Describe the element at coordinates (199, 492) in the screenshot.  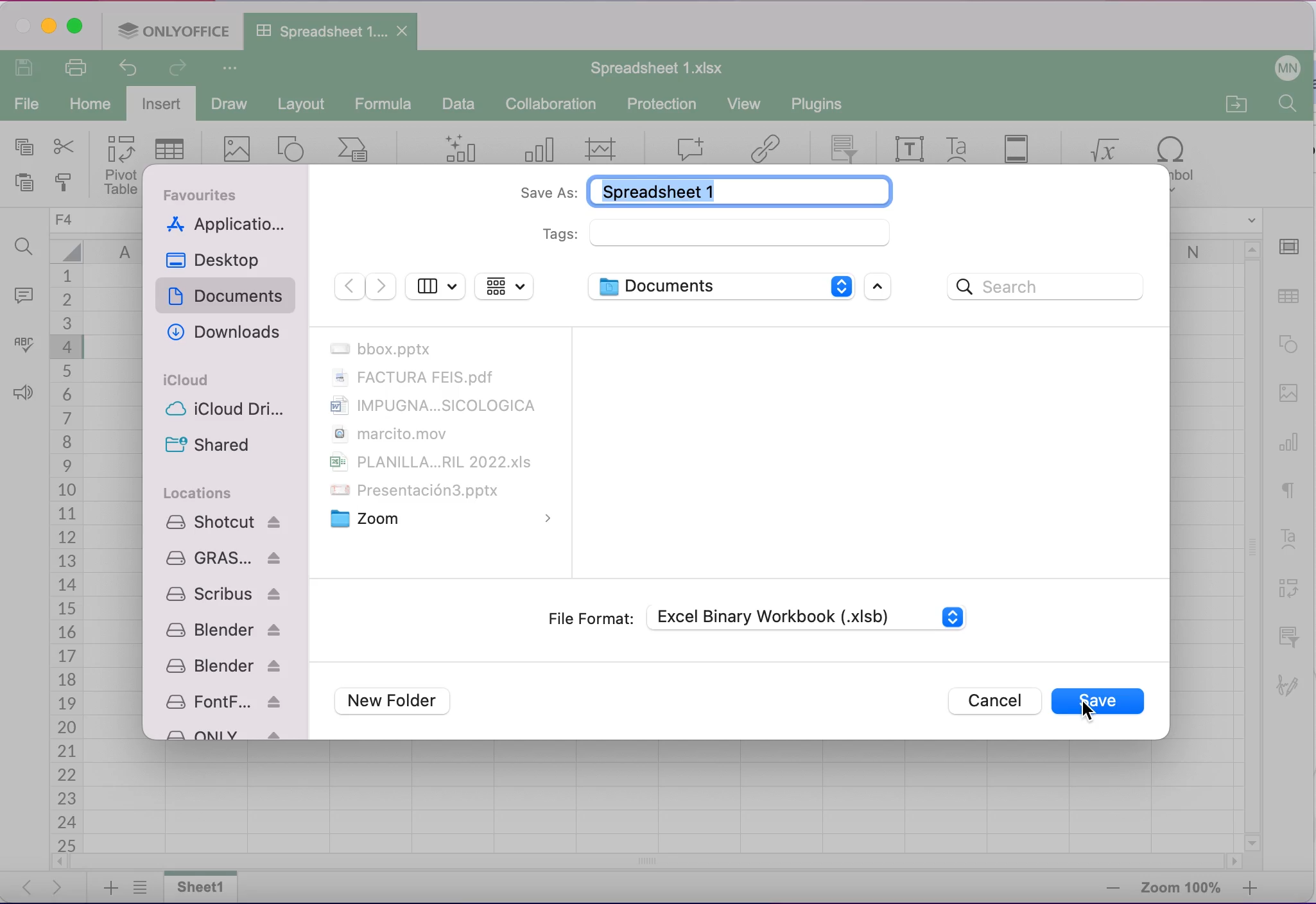
I see `locations` at that location.